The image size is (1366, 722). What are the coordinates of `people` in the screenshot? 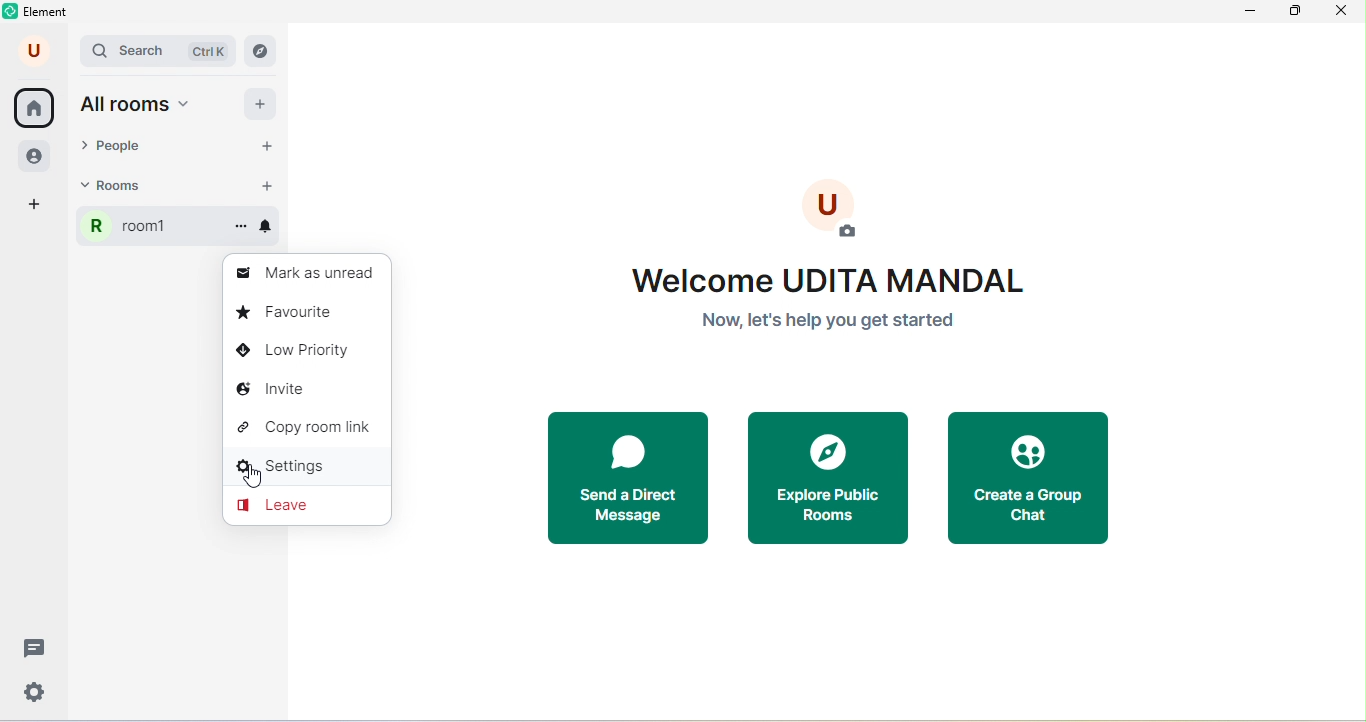 It's located at (37, 158).